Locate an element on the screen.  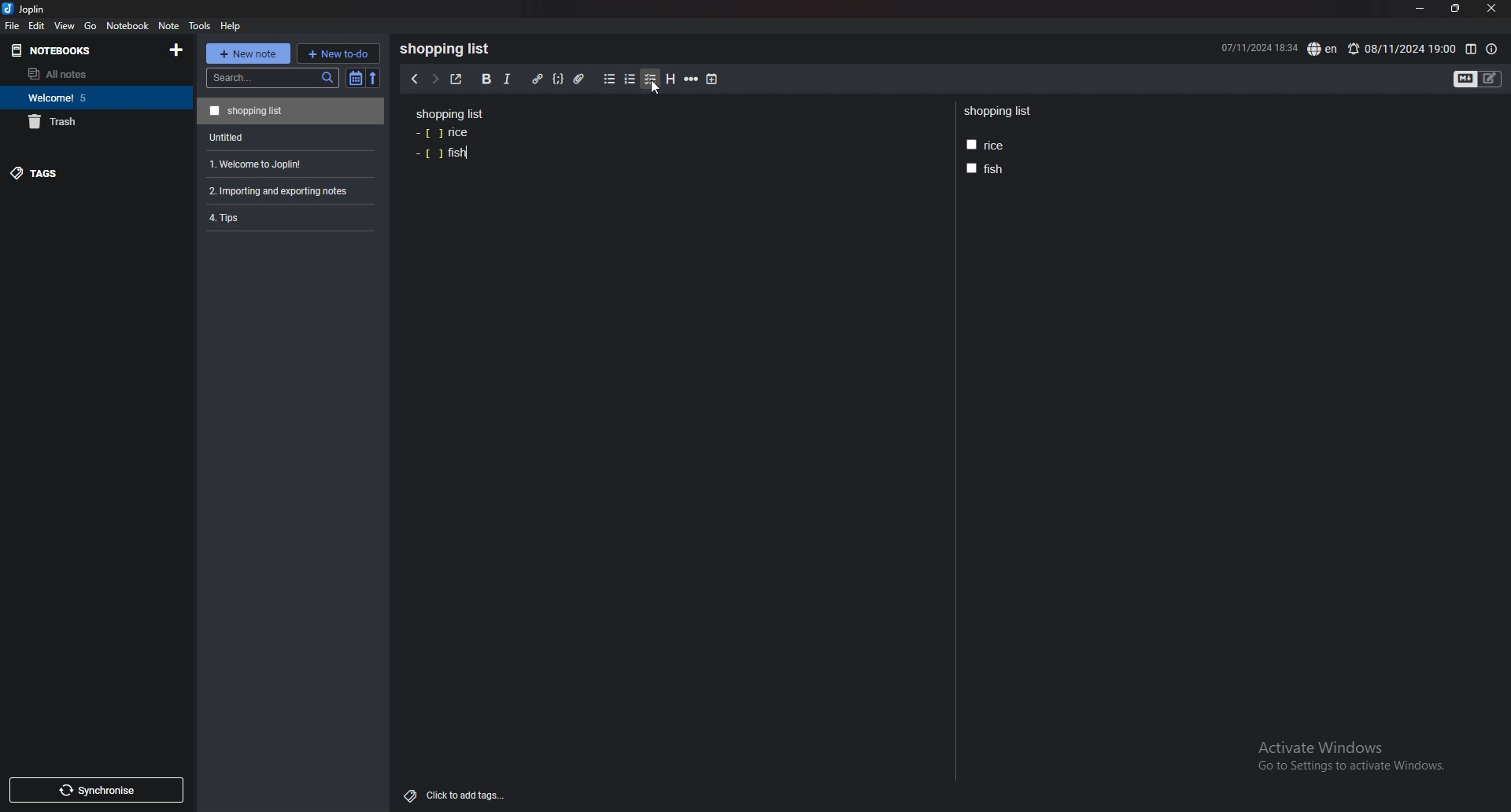
numbered list is located at coordinates (630, 79).